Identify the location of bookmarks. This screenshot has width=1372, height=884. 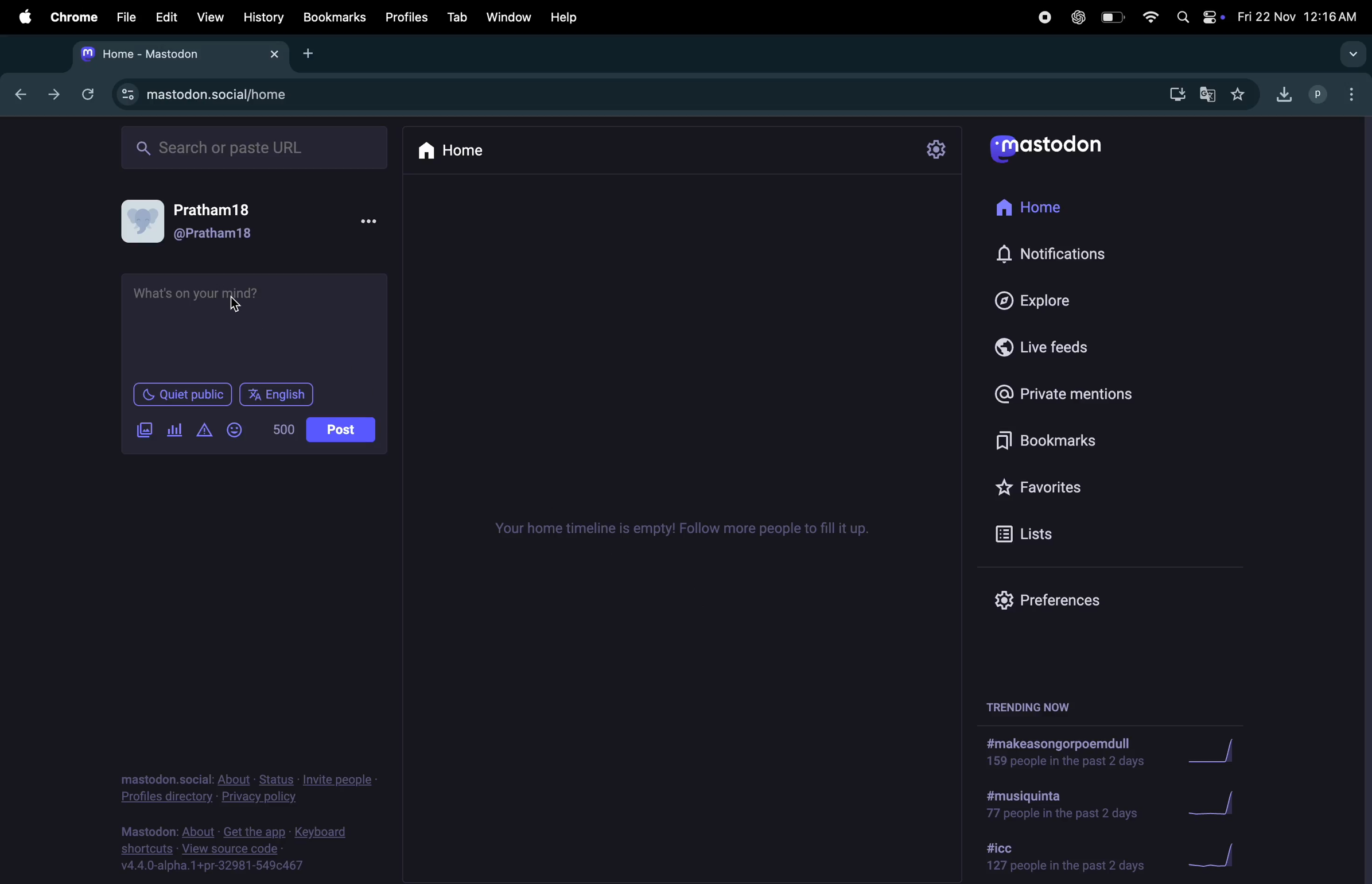
(335, 17).